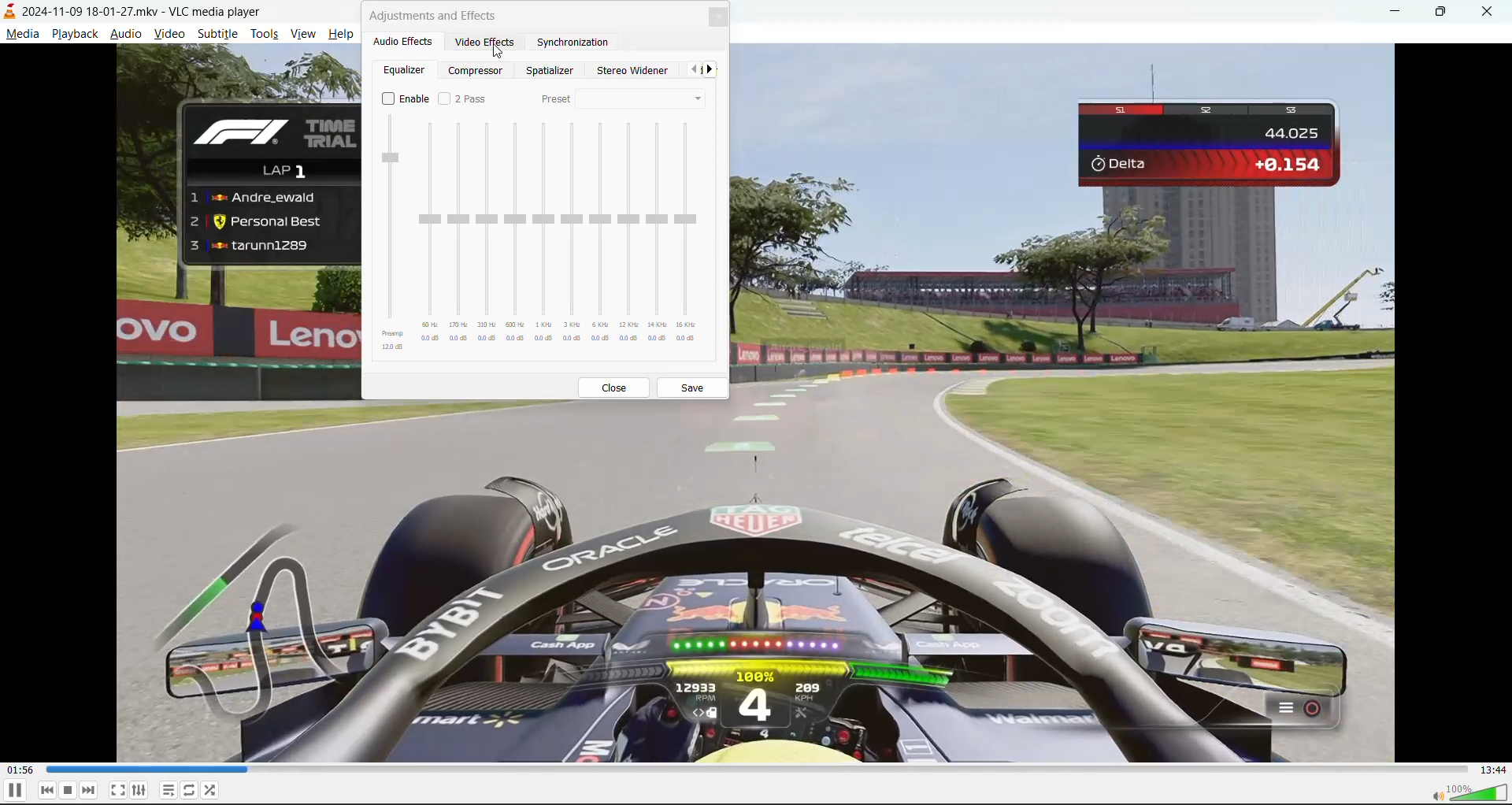 The height and width of the screenshot is (805, 1512). What do you see at coordinates (169, 37) in the screenshot?
I see `video` at bounding box center [169, 37].